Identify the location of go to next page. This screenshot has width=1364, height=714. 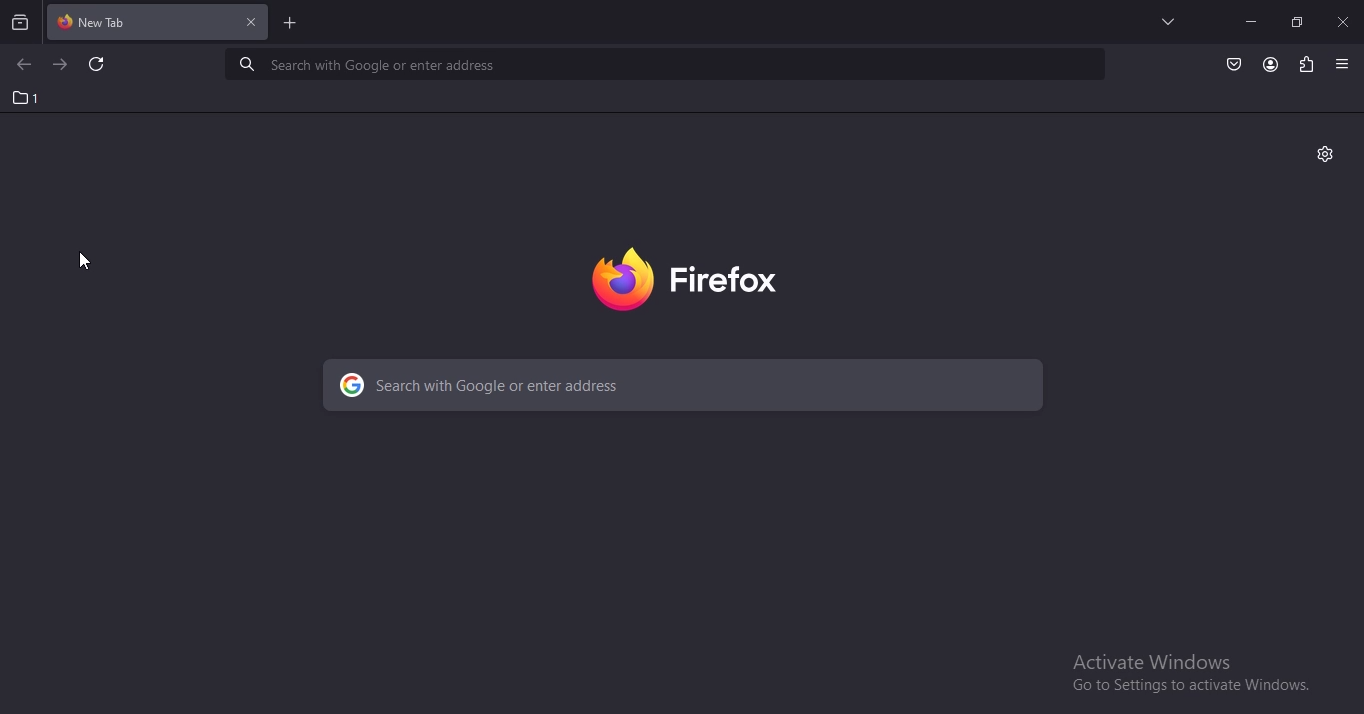
(61, 65).